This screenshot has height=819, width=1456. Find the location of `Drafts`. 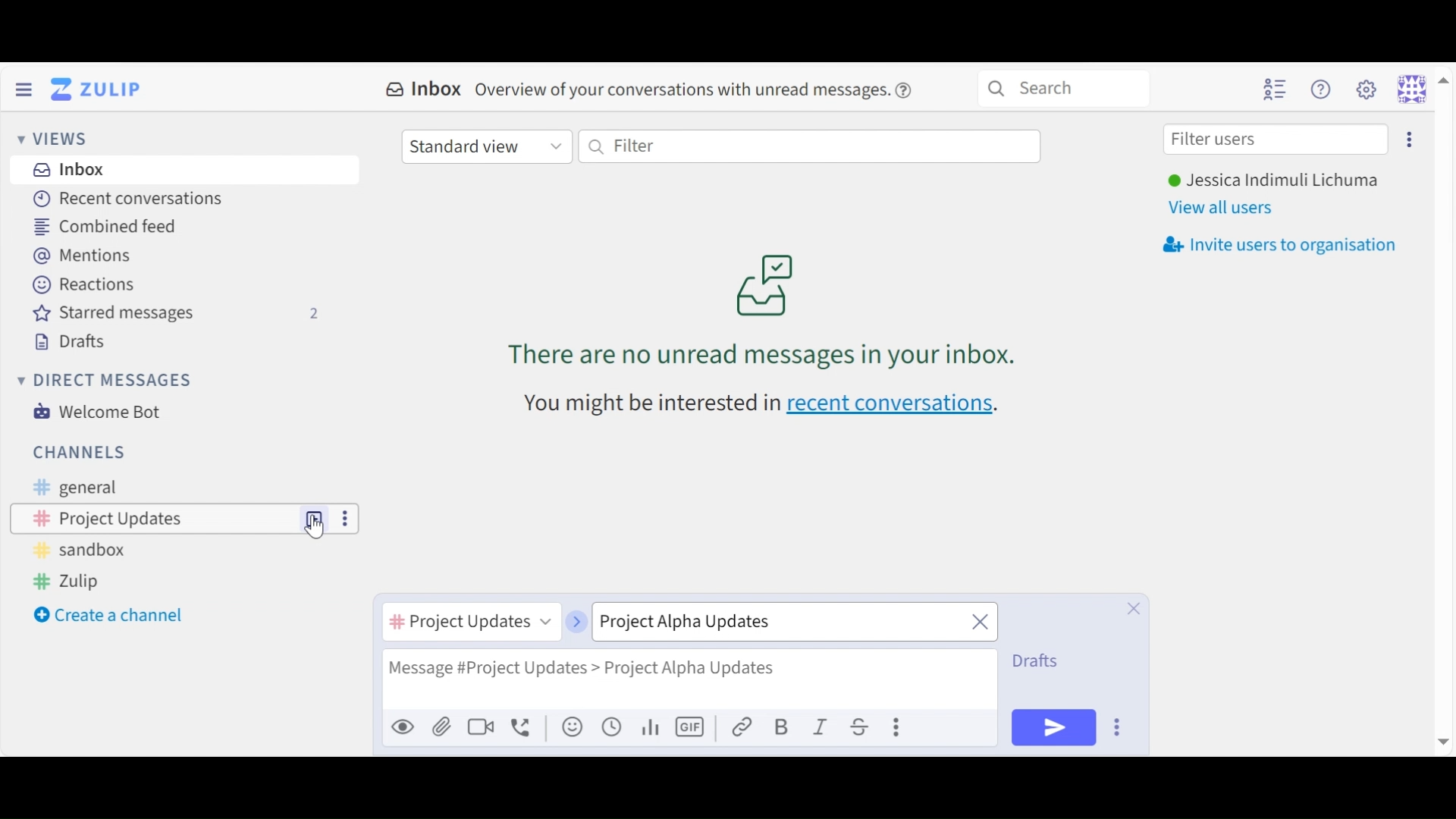

Drafts is located at coordinates (77, 340).